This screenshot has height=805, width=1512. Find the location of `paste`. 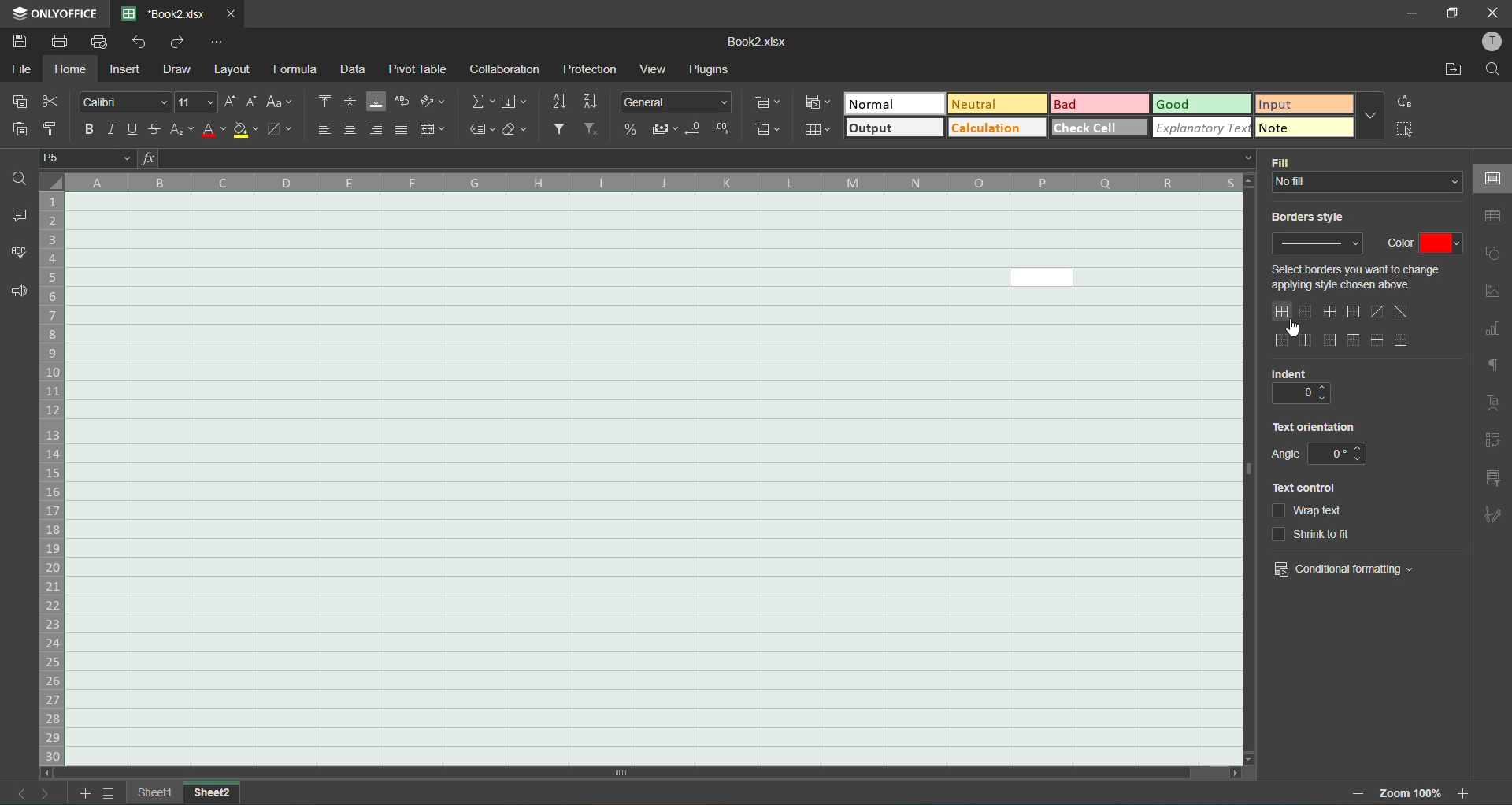

paste is located at coordinates (17, 131).